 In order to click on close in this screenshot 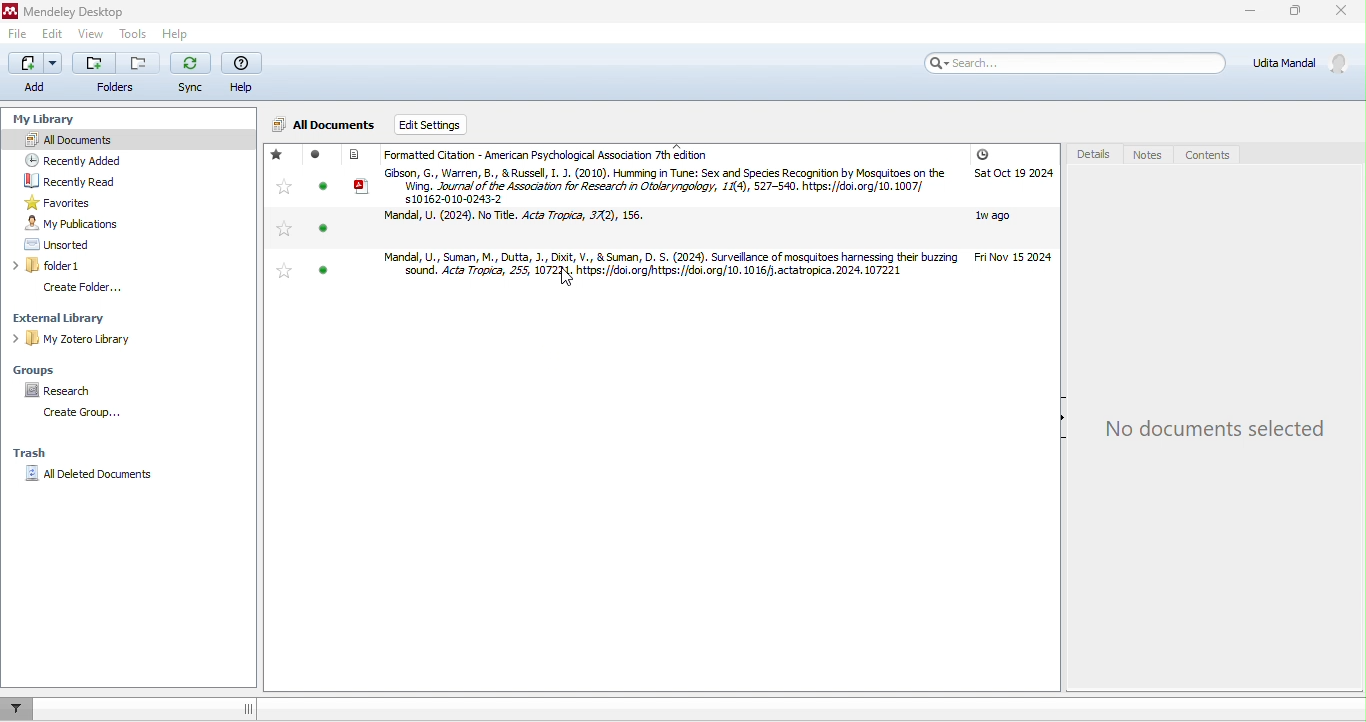, I will do `click(1343, 14)`.